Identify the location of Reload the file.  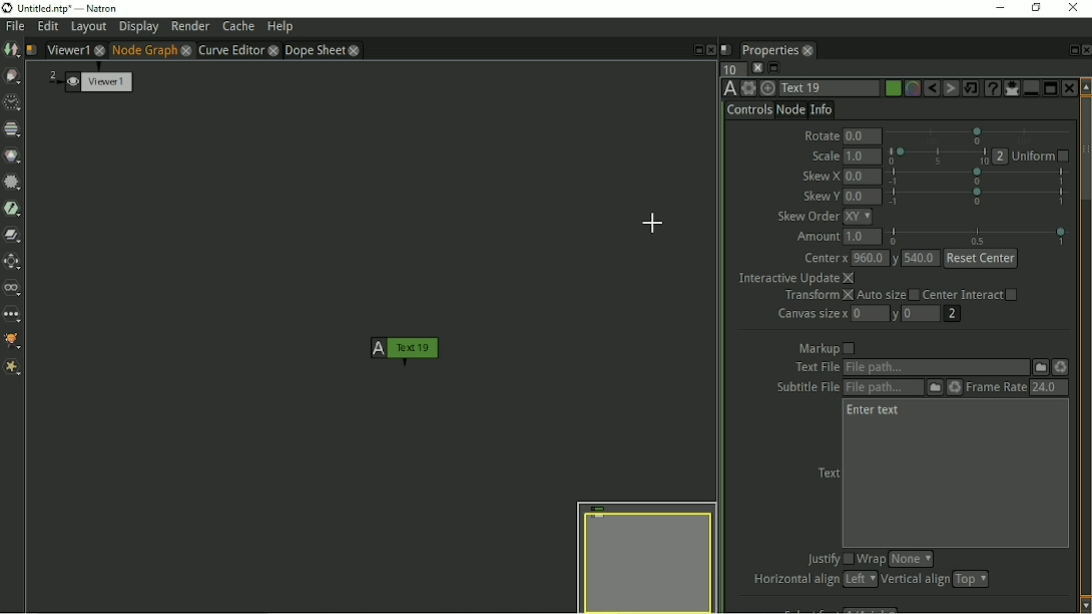
(953, 388).